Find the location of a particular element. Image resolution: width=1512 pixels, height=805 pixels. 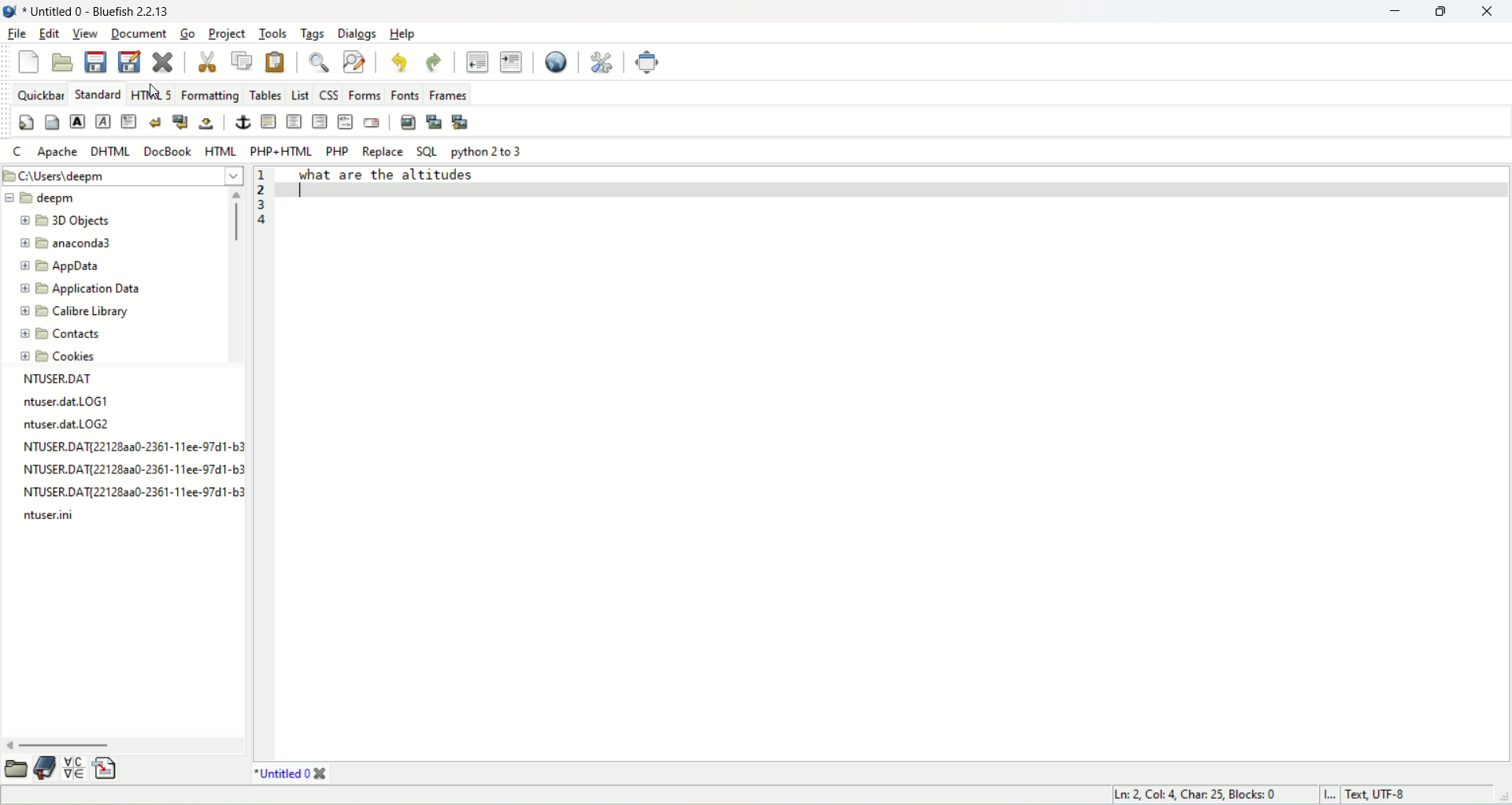

vertical scroll bar is located at coordinates (234, 276).